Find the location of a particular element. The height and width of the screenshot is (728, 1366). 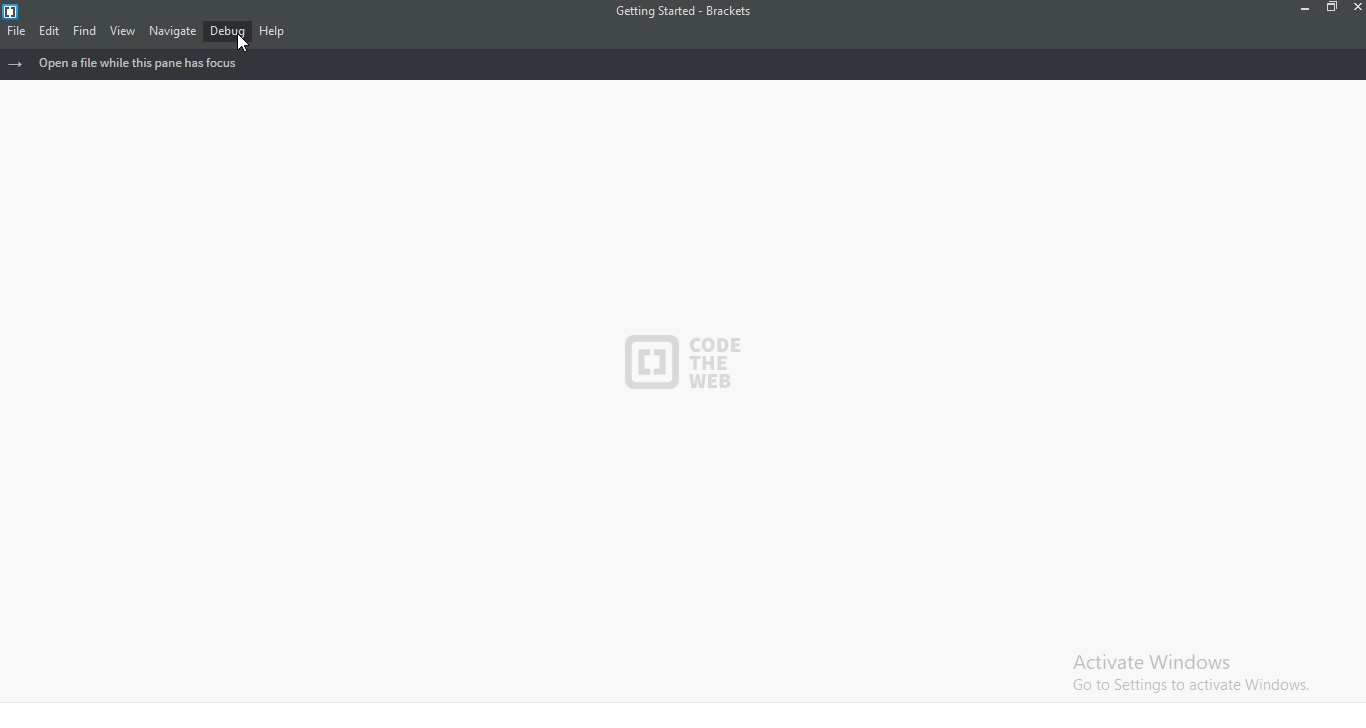

navigate is located at coordinates (171, 30).